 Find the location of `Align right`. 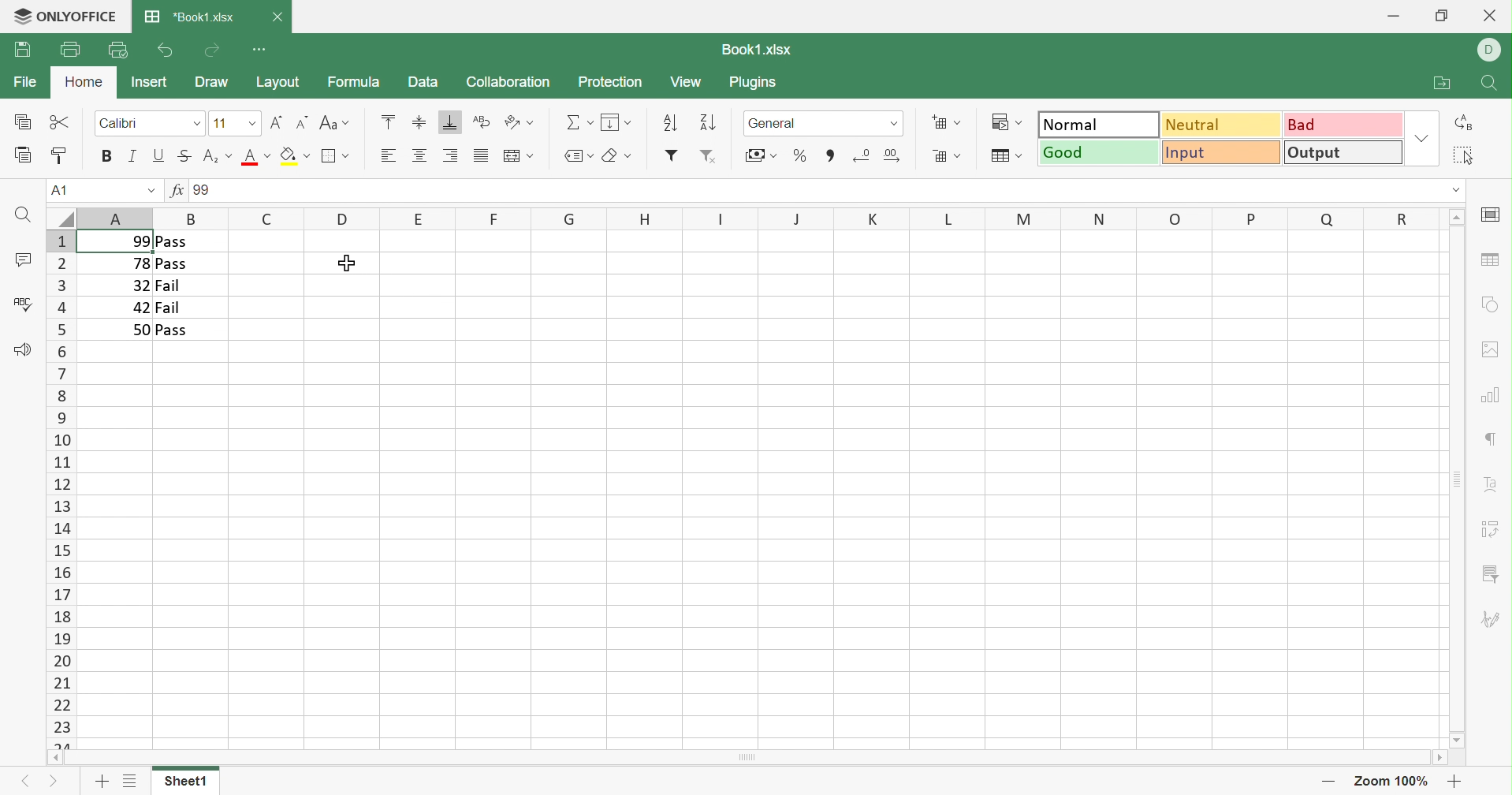

Align right is located at coordinates (449, 156).